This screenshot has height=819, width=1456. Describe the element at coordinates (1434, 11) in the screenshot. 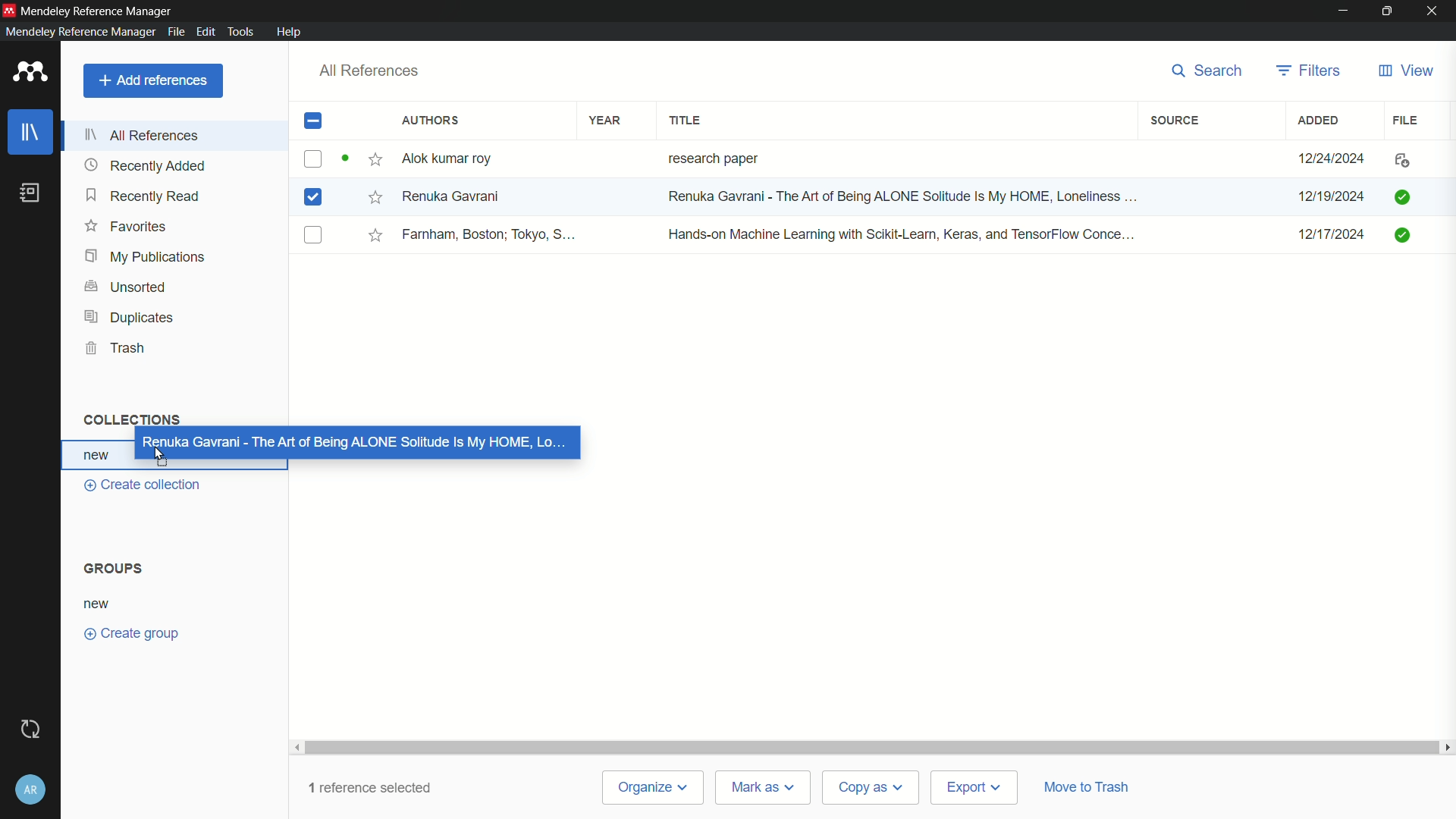

I see `close app` at that location.